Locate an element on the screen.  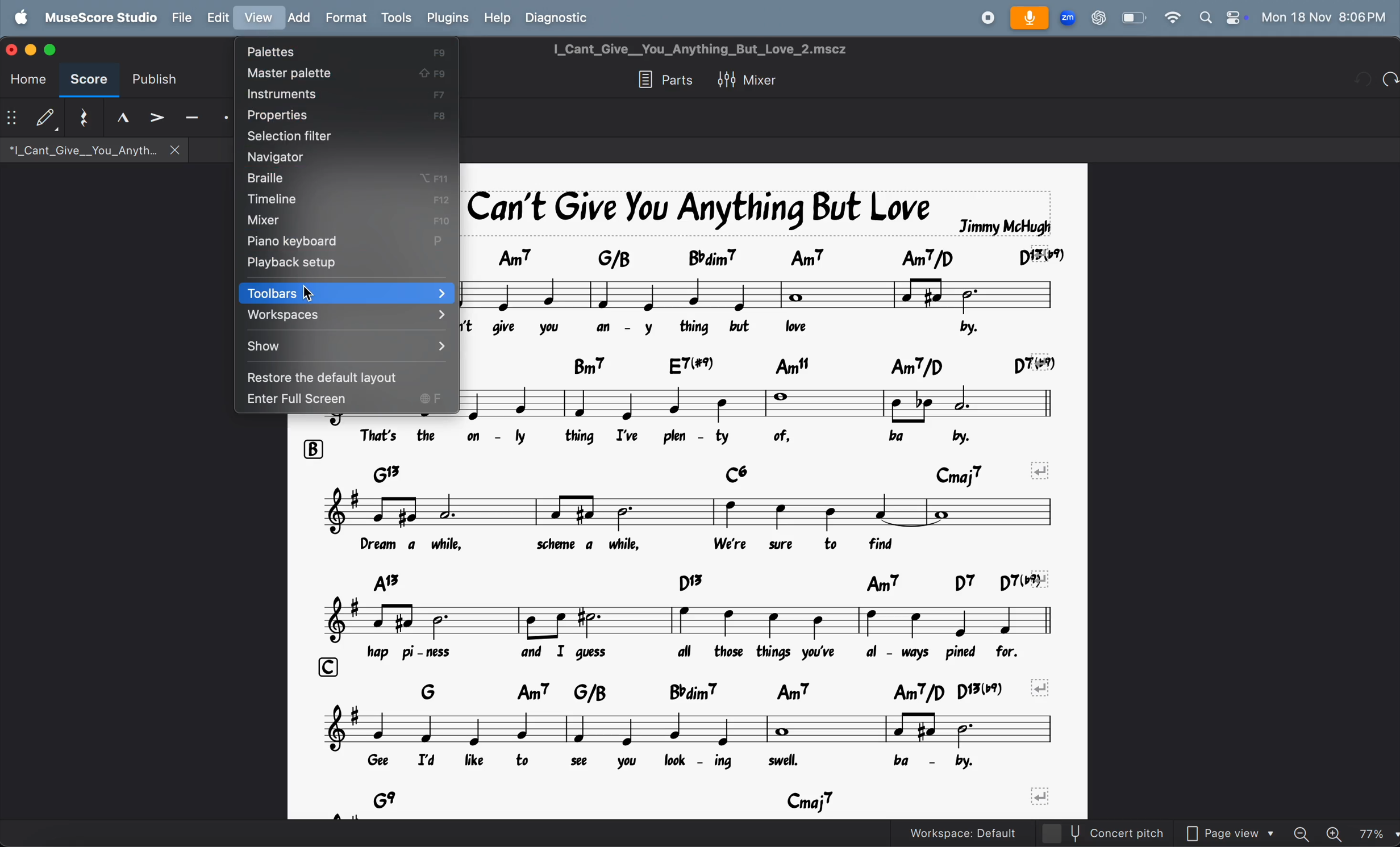
default step time is located at coordinates (31, 115).